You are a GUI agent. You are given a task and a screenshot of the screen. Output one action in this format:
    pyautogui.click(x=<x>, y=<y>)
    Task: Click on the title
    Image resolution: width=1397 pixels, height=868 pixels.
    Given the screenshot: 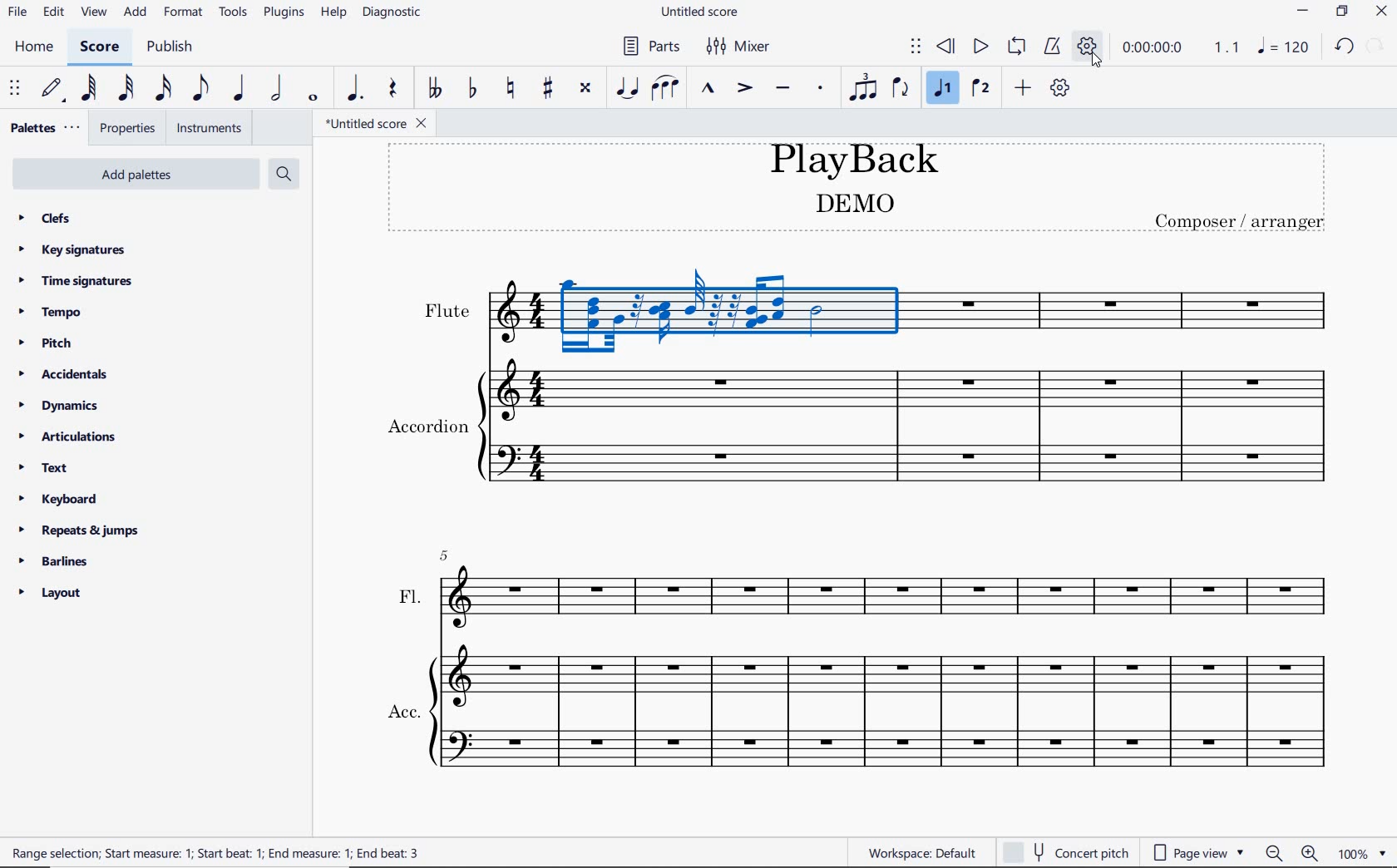 What is the action you would take?
    pyautogui.click(x=860, y=187)
    